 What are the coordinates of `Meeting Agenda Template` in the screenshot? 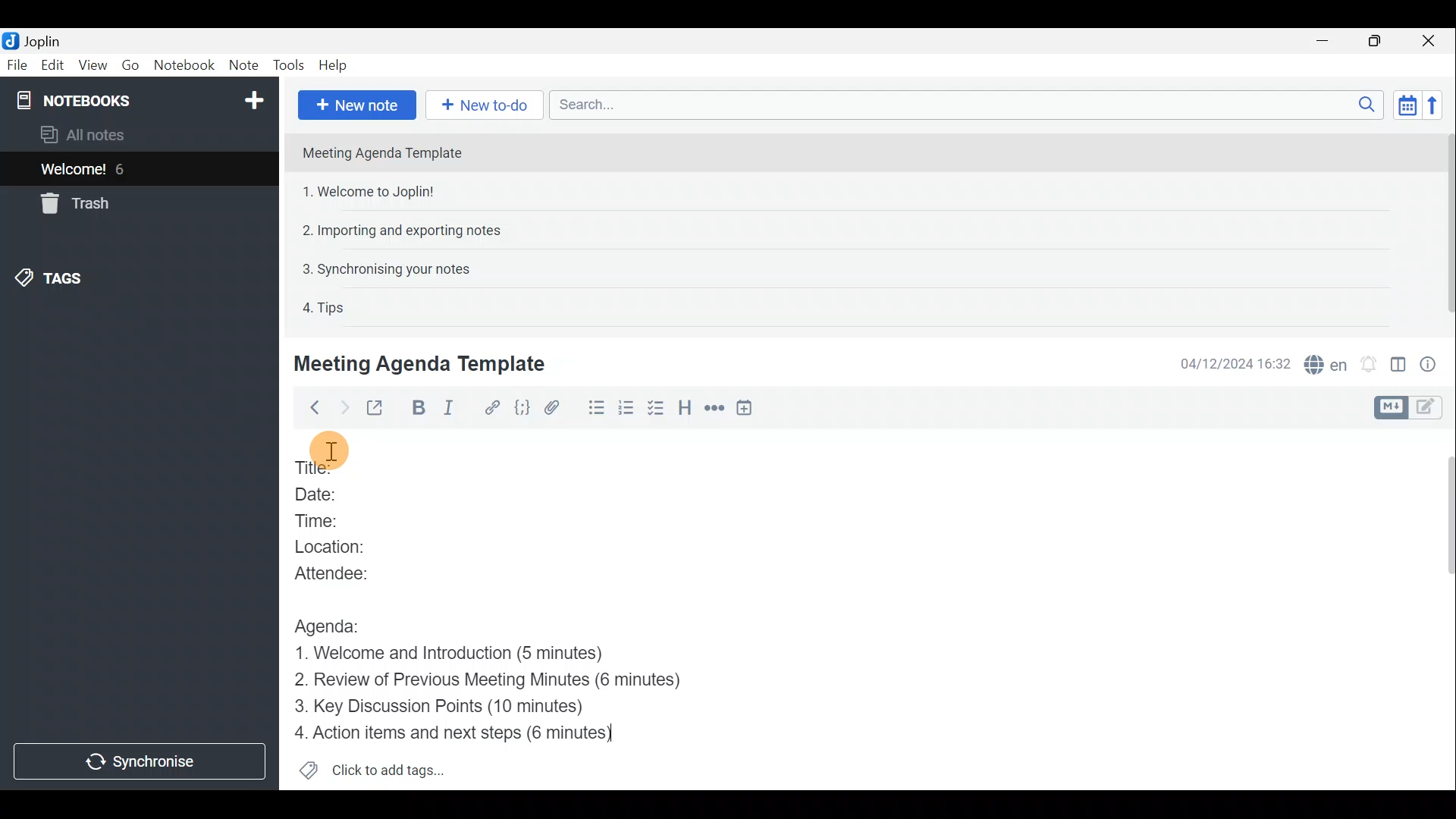 It's located at (422, 363).